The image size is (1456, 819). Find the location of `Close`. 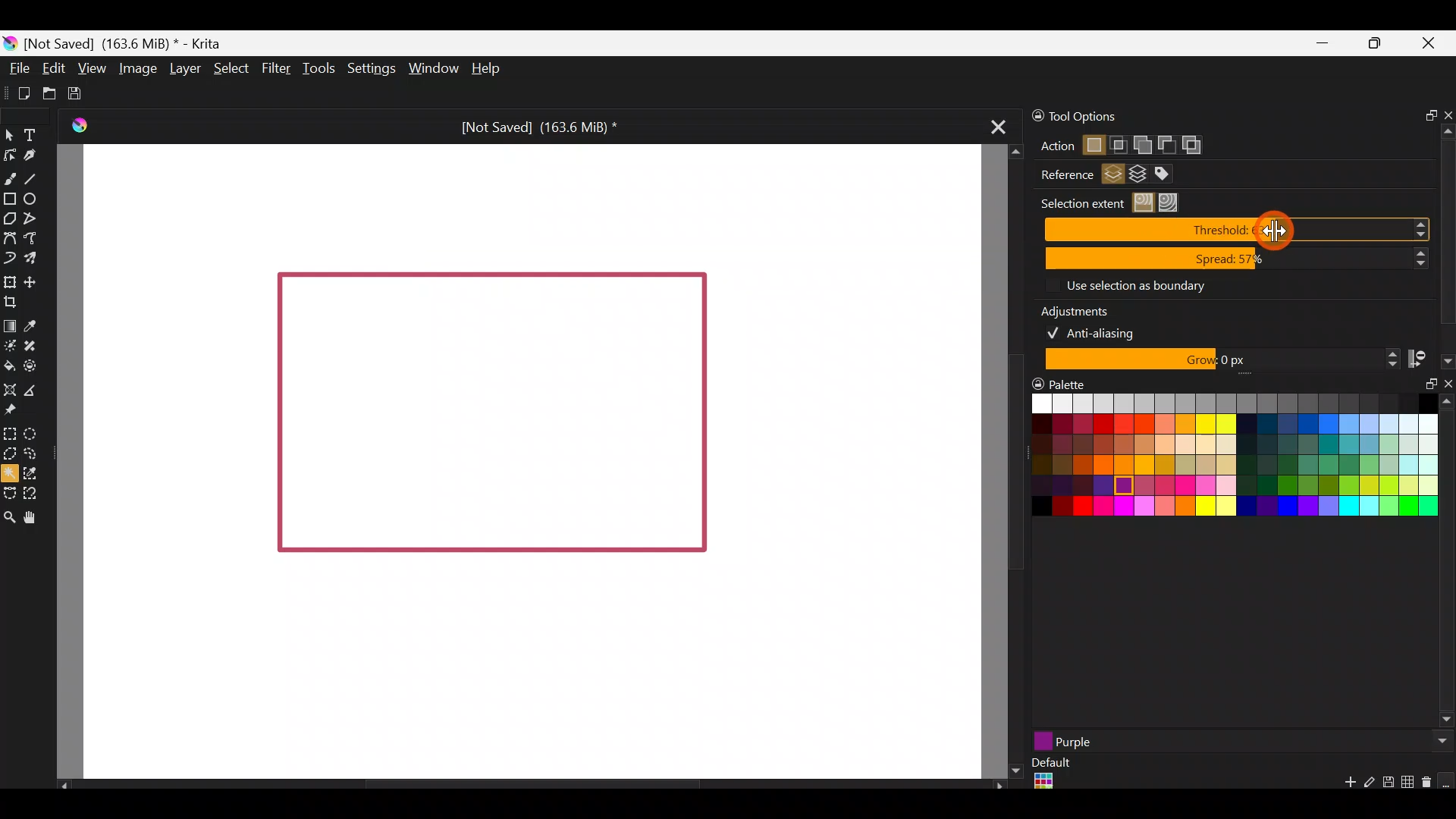

Close is located at coordinates (1433, 45).